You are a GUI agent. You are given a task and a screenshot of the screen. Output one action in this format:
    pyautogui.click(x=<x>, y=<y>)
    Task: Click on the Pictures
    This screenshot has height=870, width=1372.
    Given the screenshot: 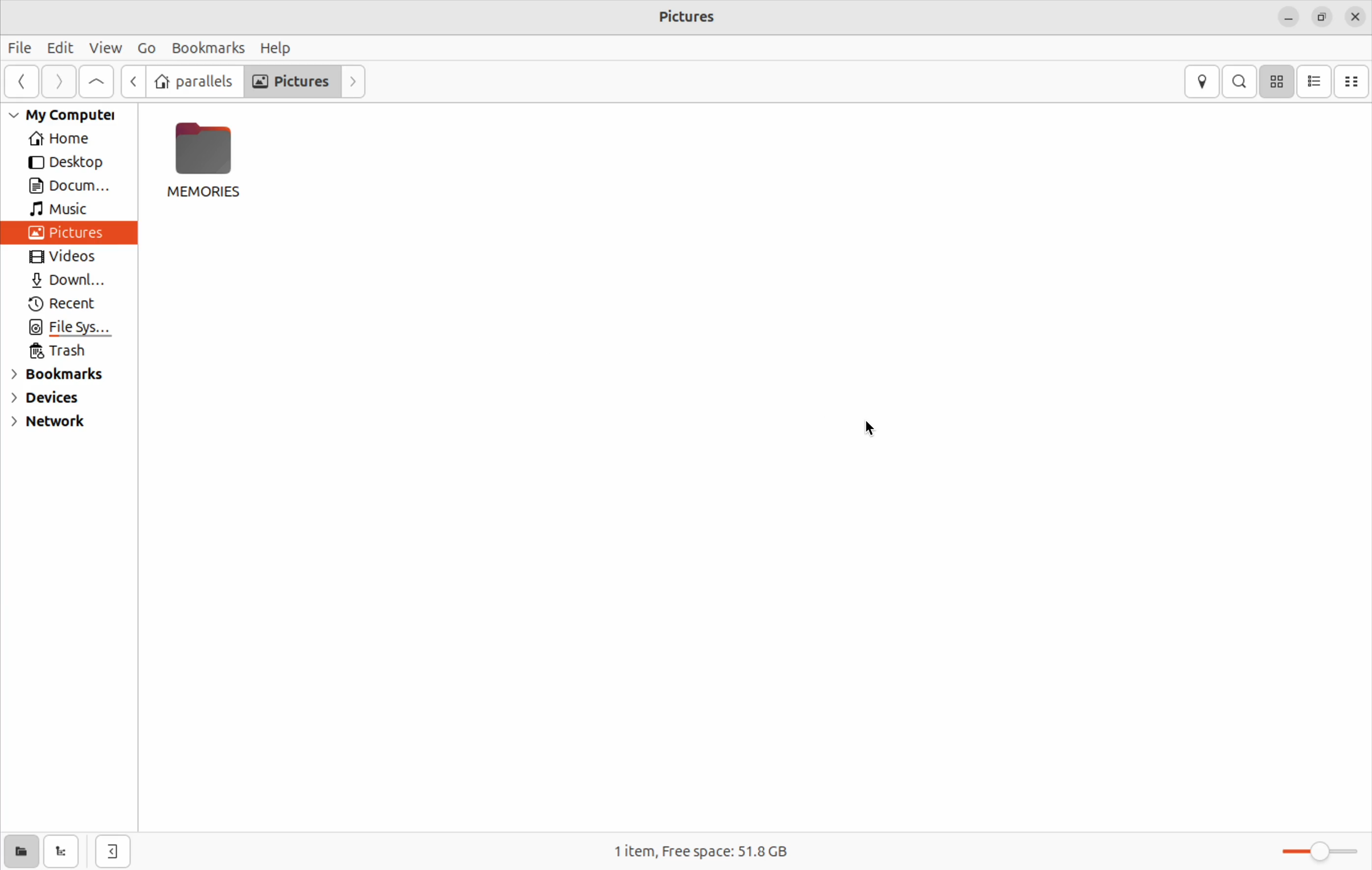 What is the action you would take?
    pyautogui.click(x=692, y=18)
    